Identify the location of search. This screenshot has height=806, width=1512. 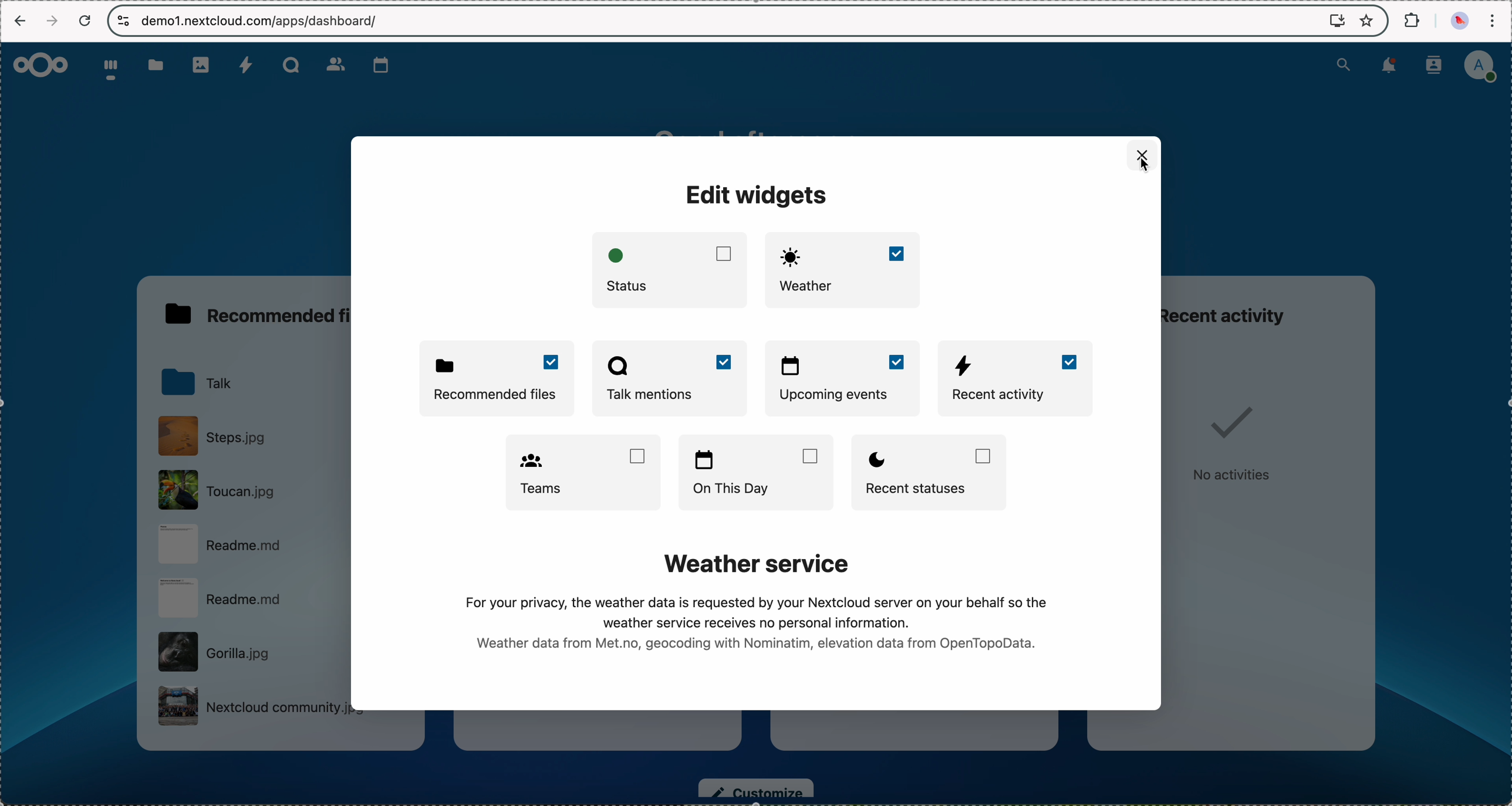
(1345, 64).